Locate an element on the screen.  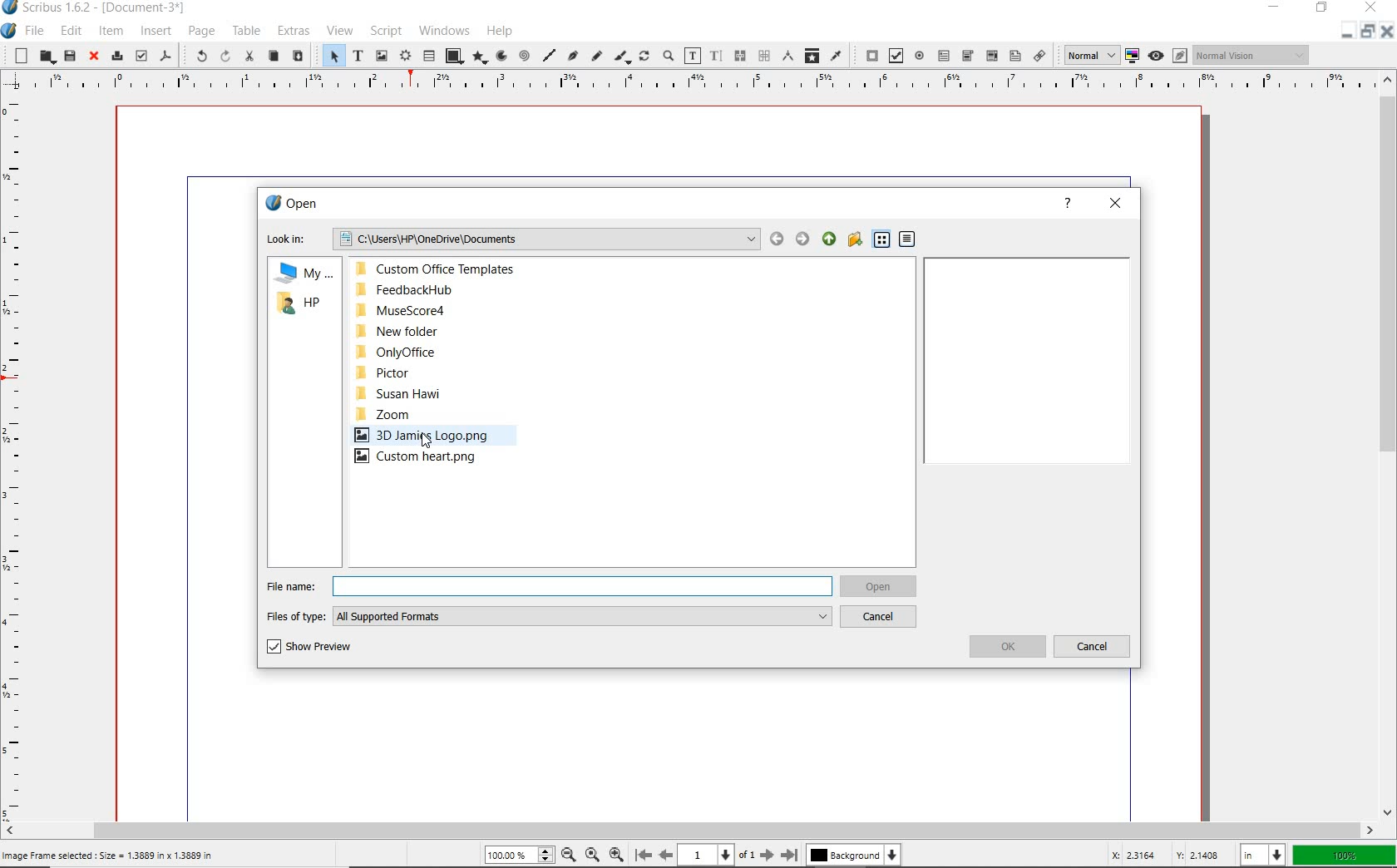
SCRIPT is located at coordinates (386, 31).